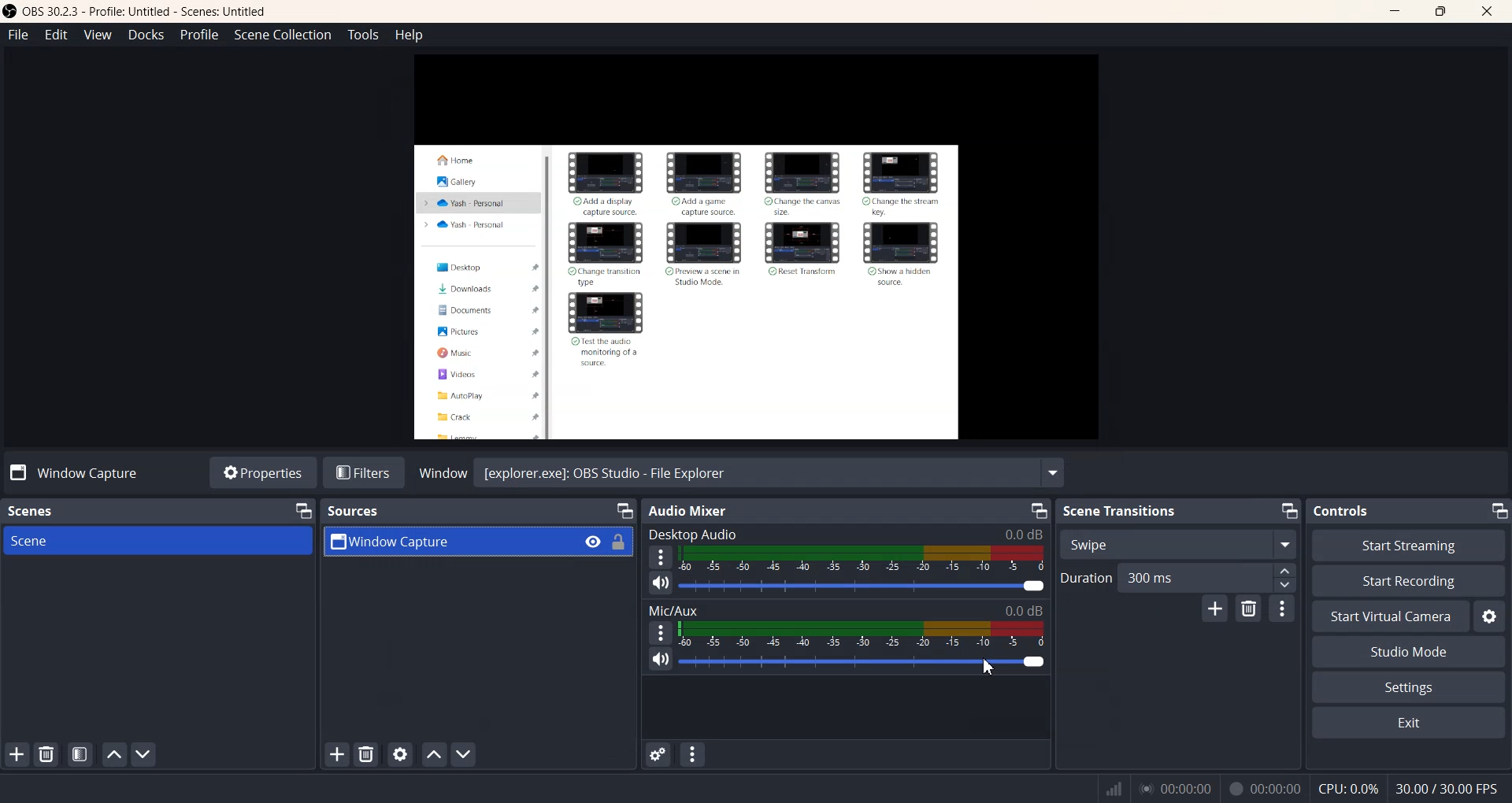  I want to click on Add Sources, so click(338, 753).